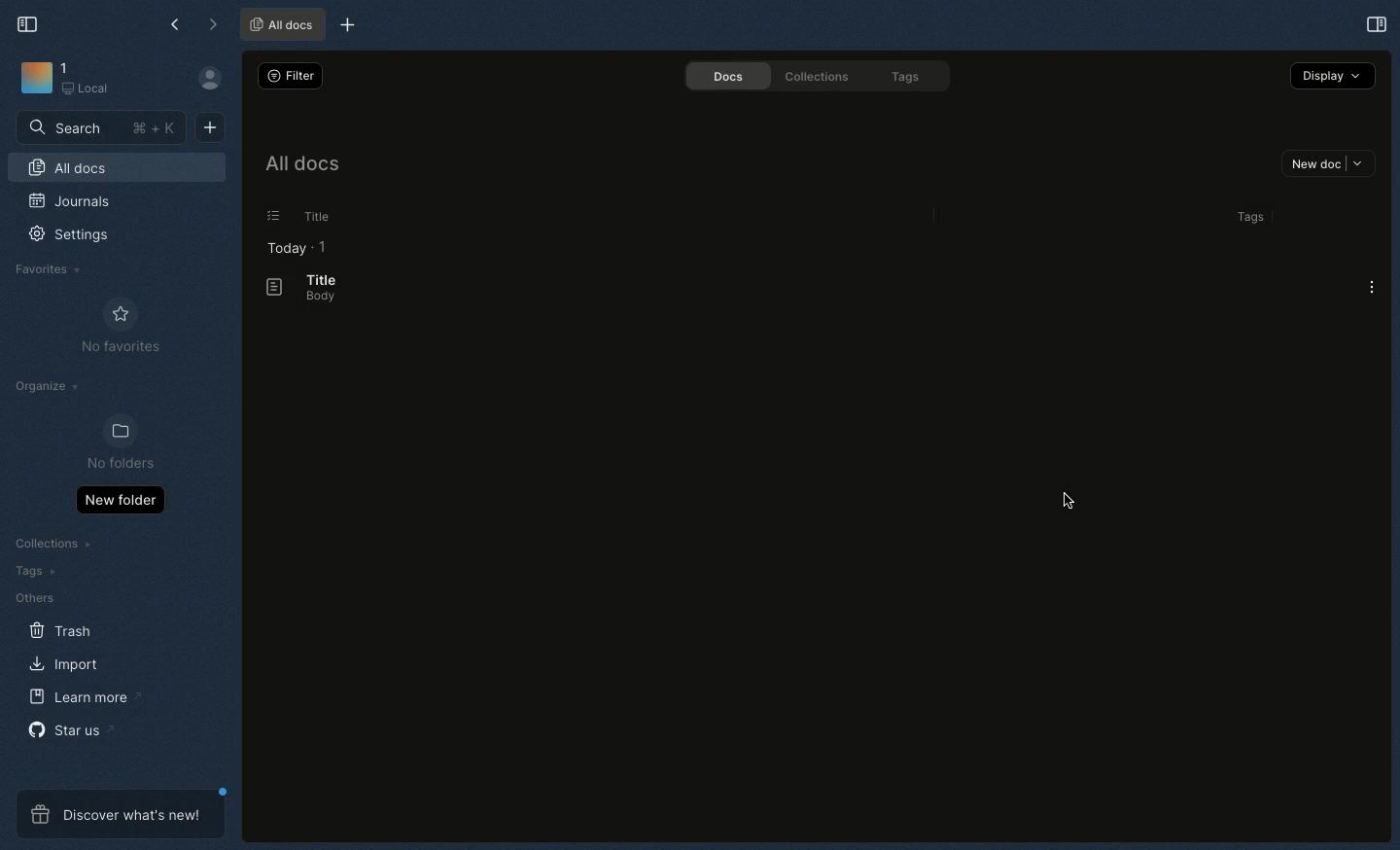 This screenshot has width=1400, height=850. I want to click on All docs, so click(117, 170).